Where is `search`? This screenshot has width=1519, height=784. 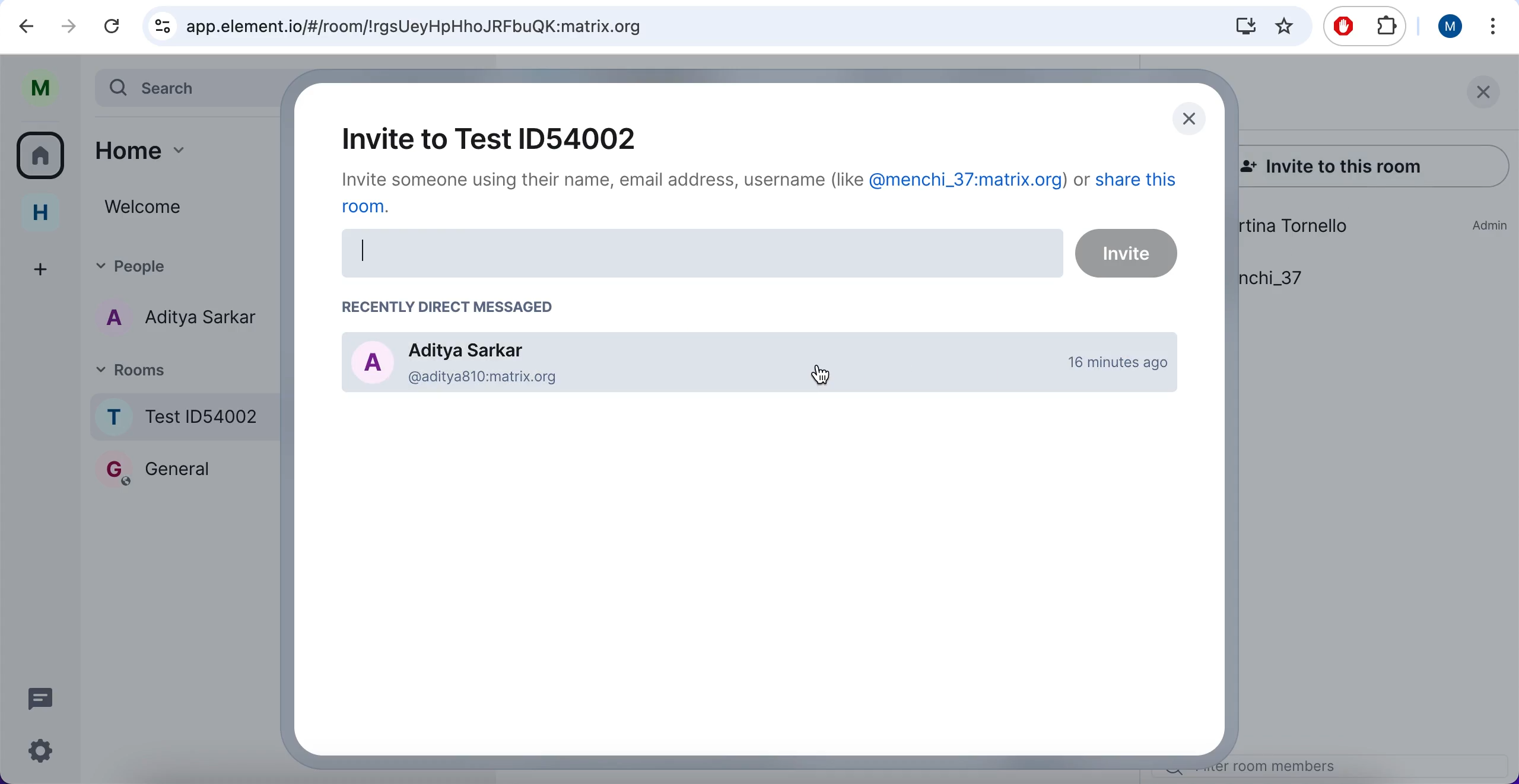
search is located at coordinates (674, 26).